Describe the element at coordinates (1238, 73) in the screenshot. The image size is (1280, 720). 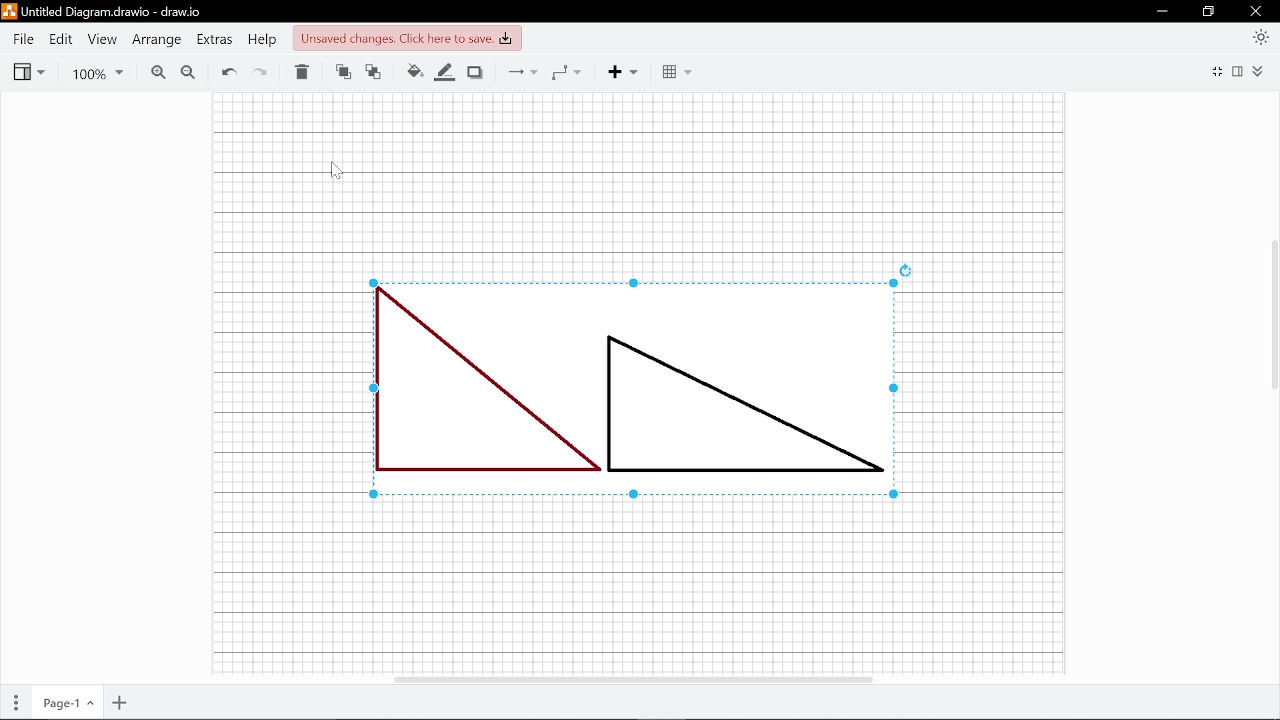
I see `Format` at that location.